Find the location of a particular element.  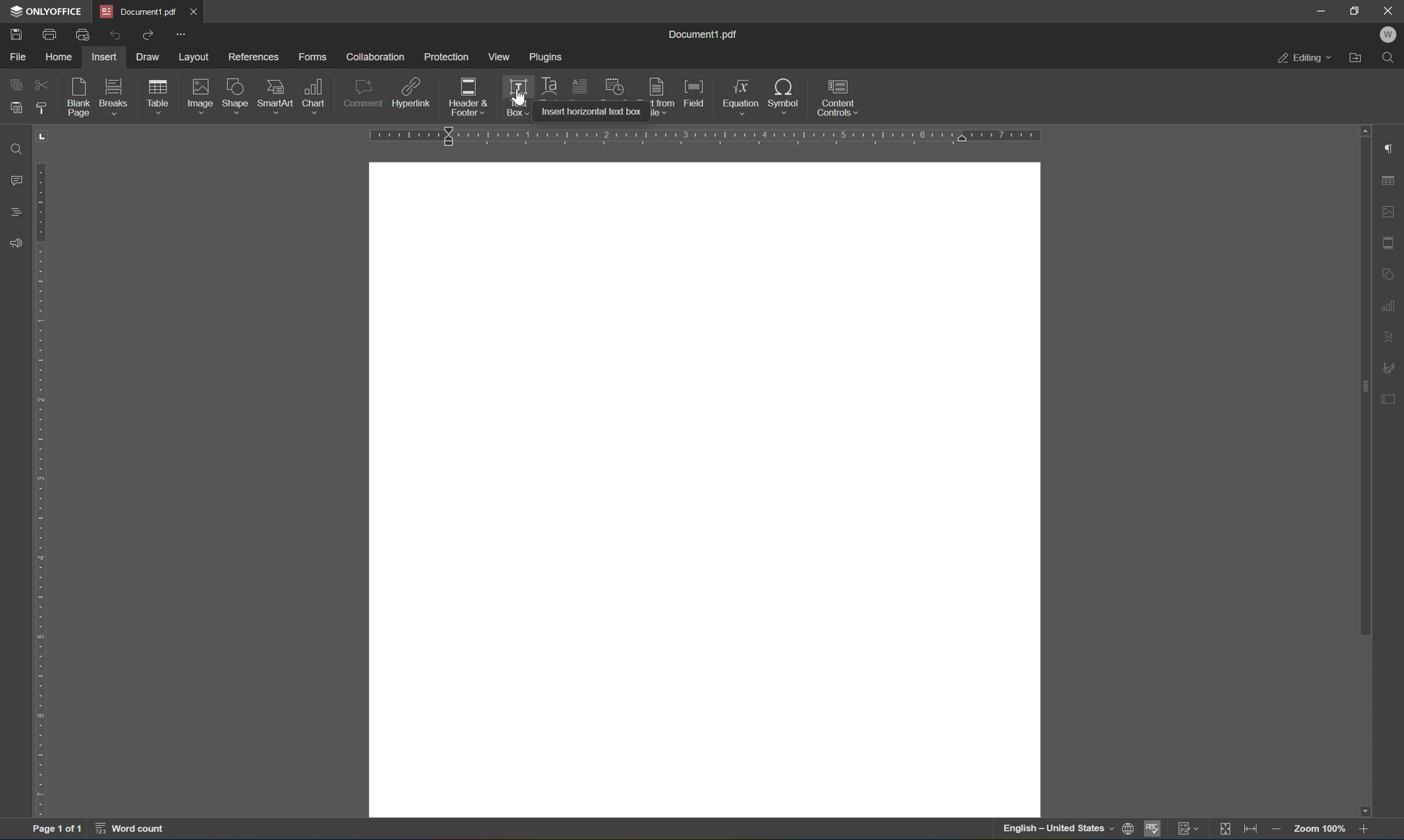

symbol is located at coordinates (787, 98).